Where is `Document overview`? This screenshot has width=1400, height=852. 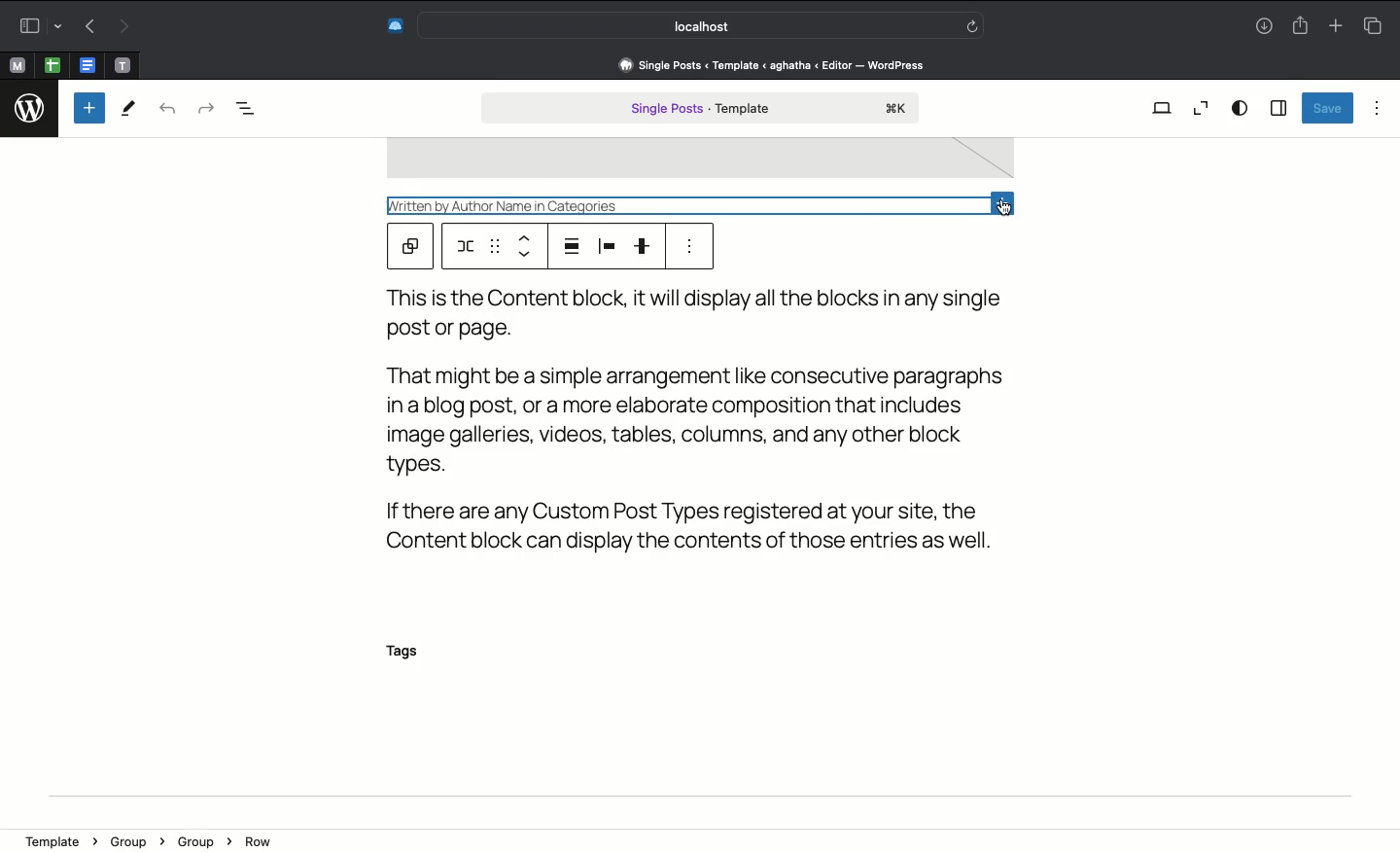
Document overview is located at coordinates (256, 109).